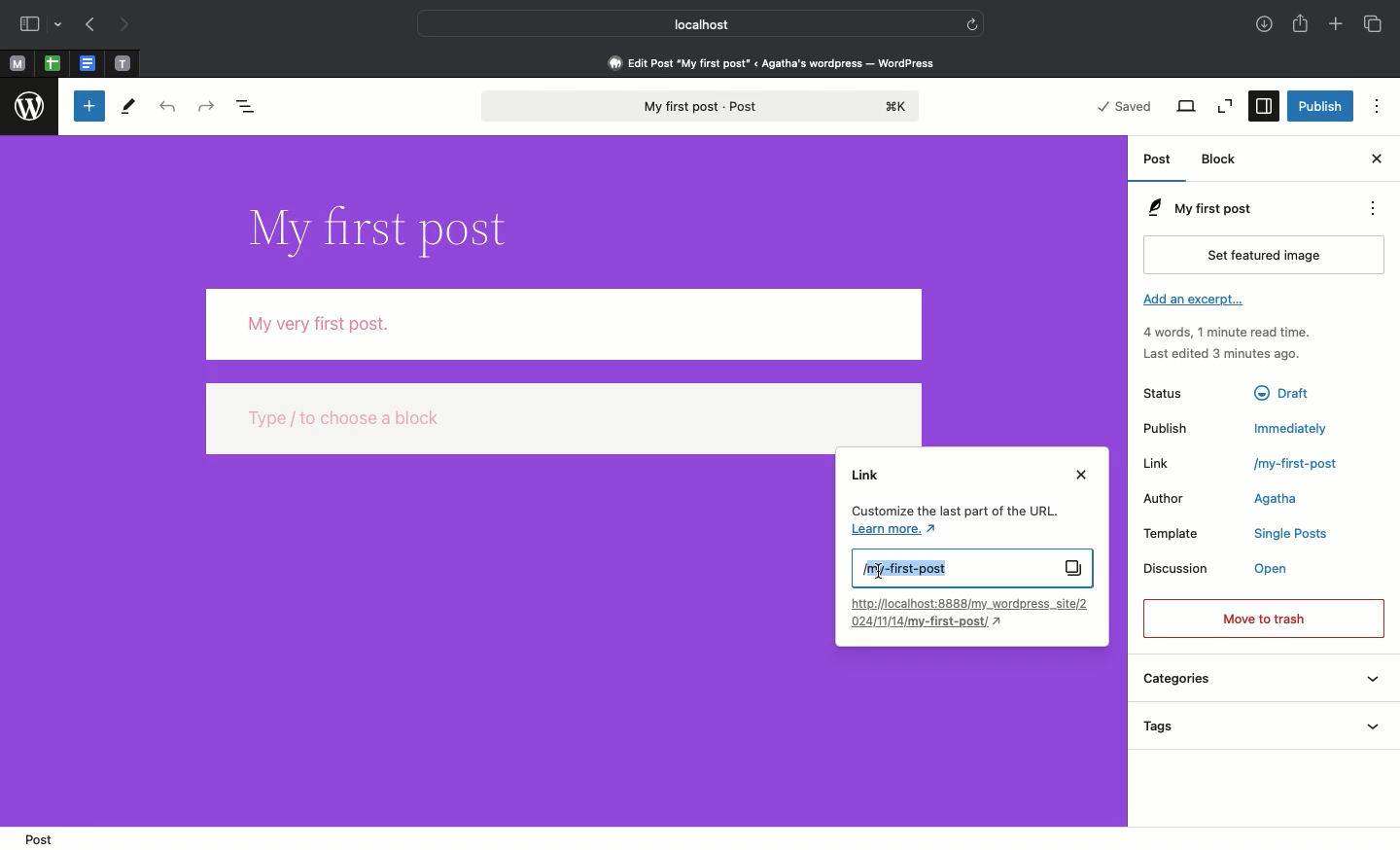  What do you see at coordinates (952, 521) in the screenshot?
I see `Customize the last part of the URL` at bounding box center [952, 521].